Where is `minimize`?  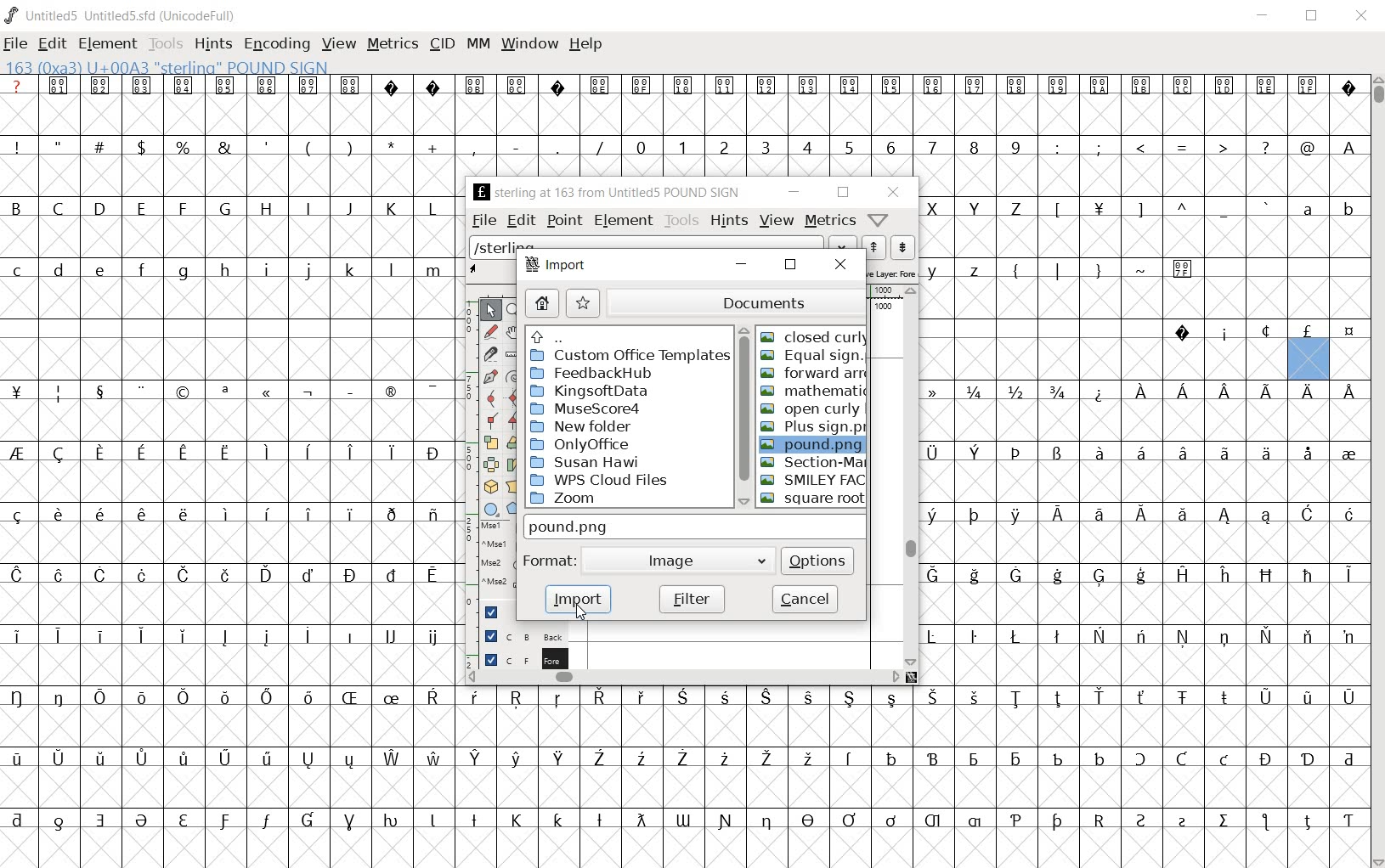 minimize is located at coordinates (742, 263).